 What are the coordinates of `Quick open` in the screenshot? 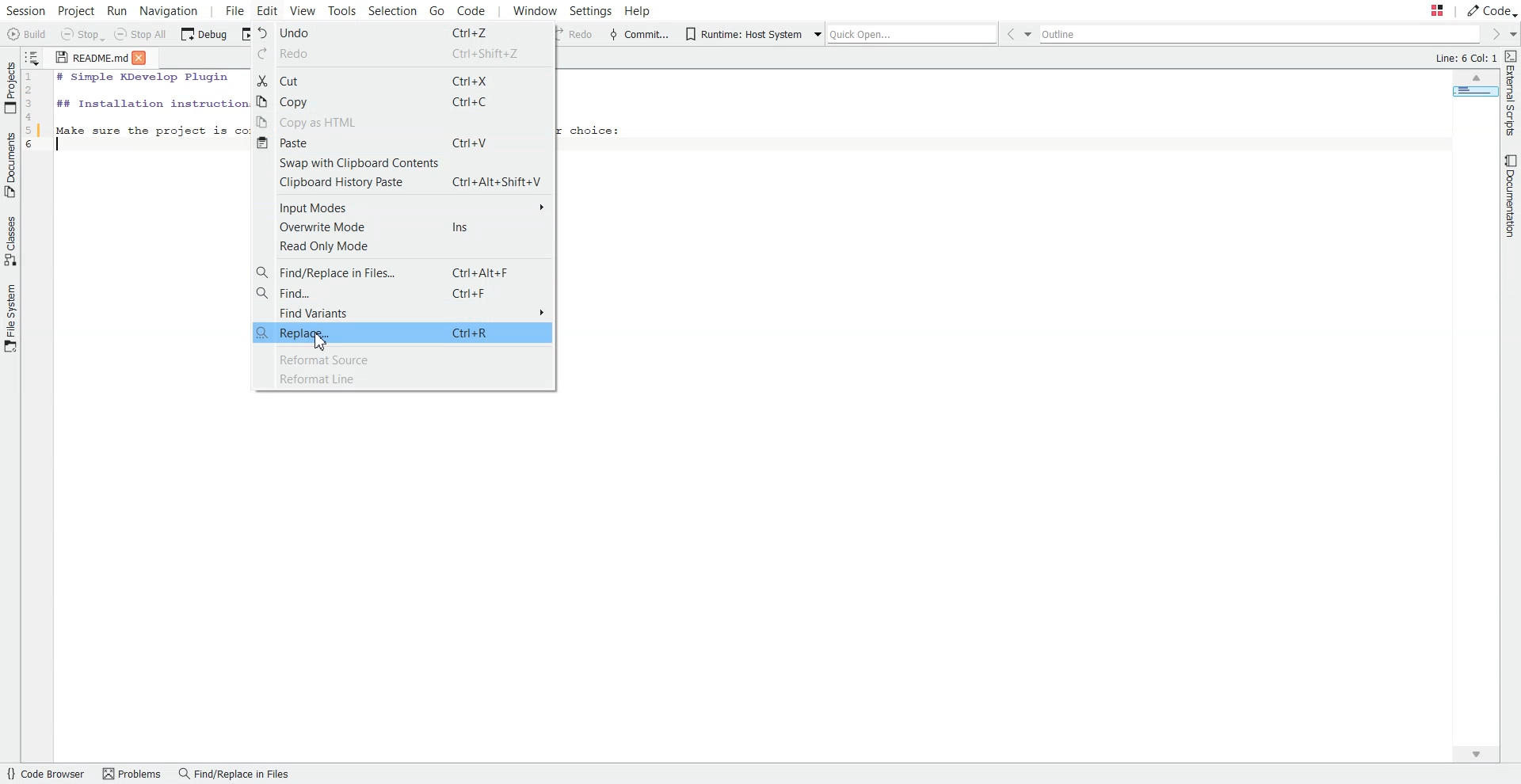 It's located at (1421, 11).